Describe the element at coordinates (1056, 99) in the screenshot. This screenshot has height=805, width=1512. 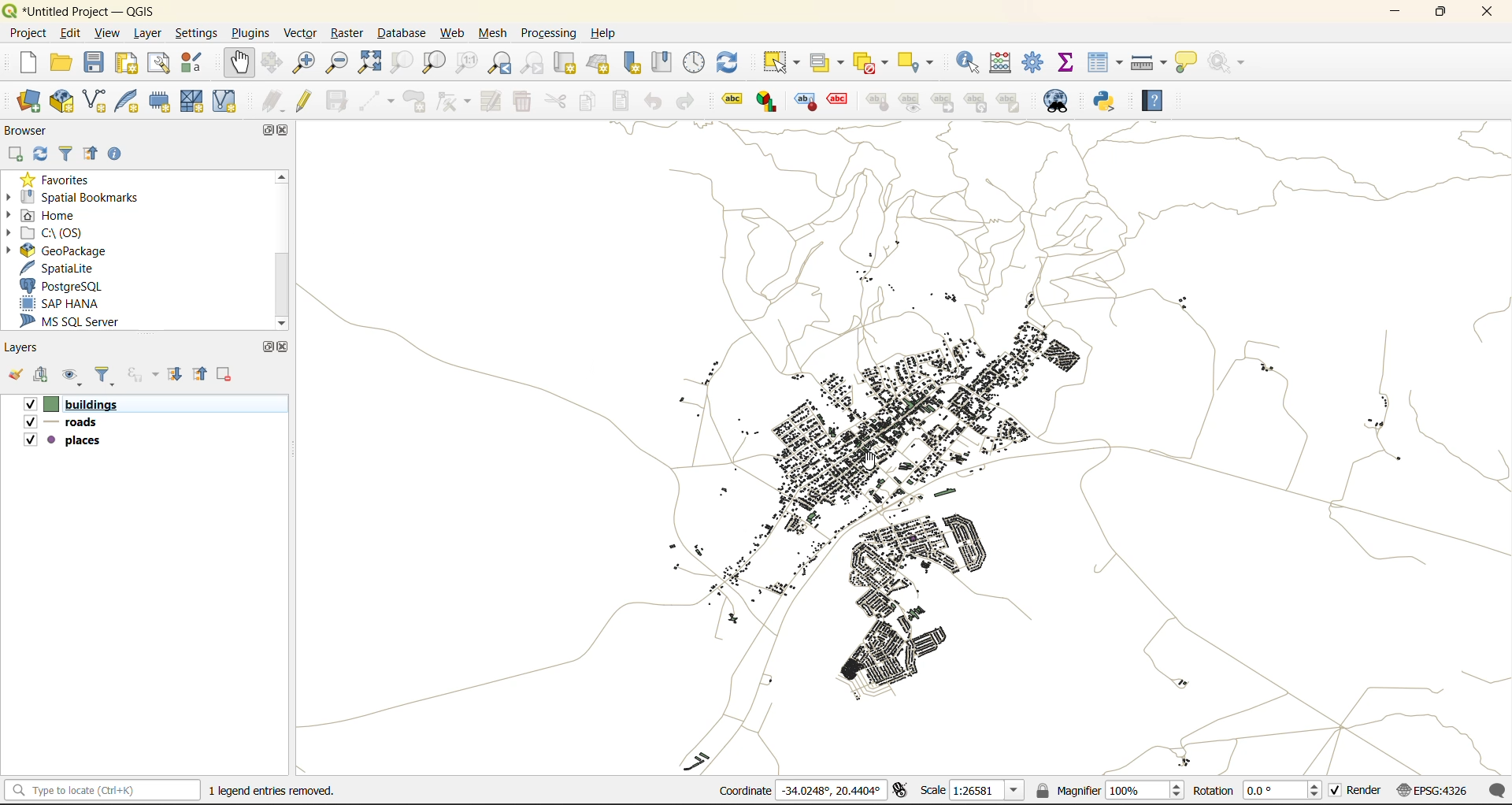
I see `metasearch` at that location.